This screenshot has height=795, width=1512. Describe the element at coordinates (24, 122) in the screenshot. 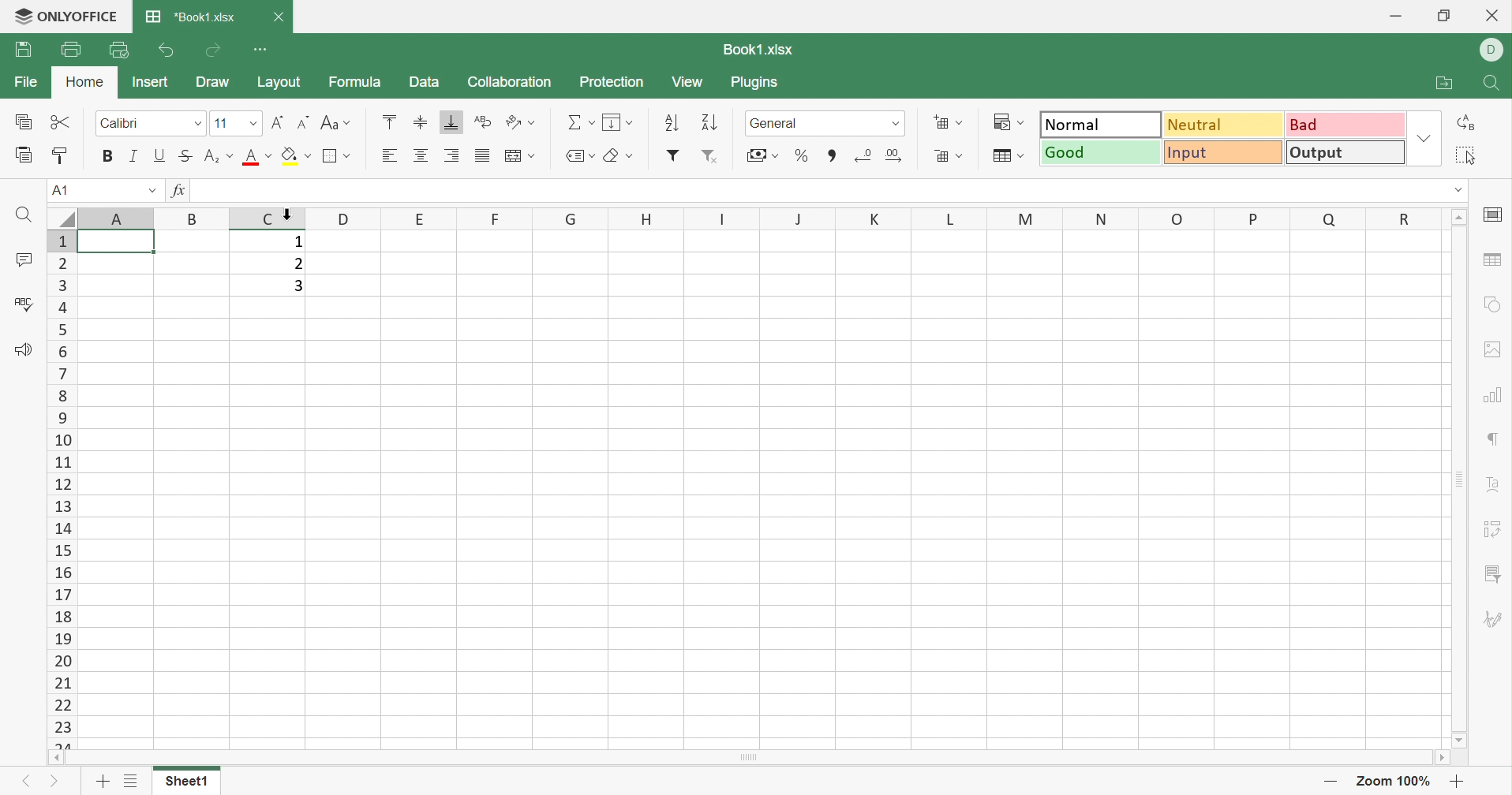

I see `Copy` at that location.